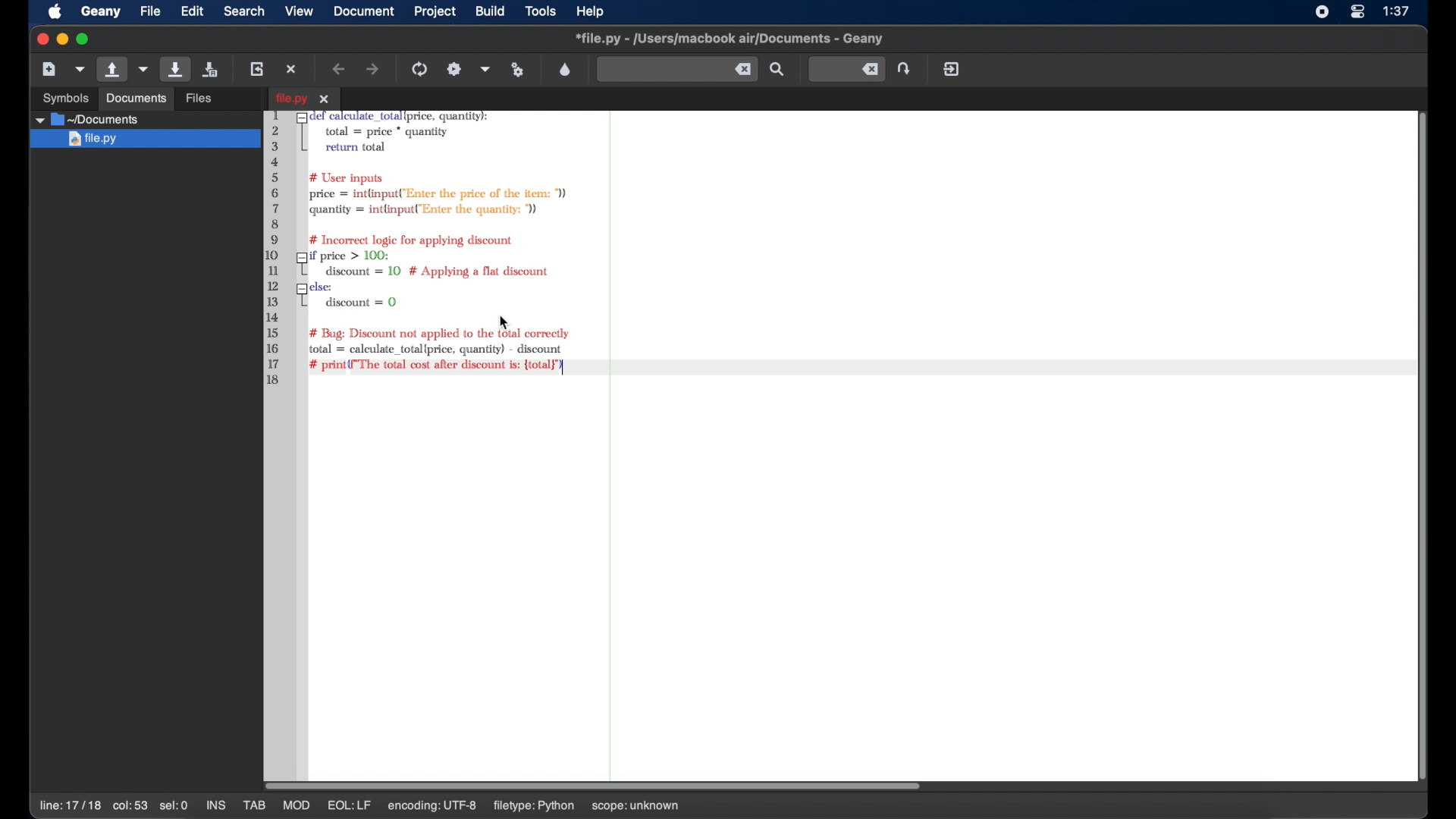  Describe the element at coordinates (89, 120) in the screenshot. I see `documents` at that location.